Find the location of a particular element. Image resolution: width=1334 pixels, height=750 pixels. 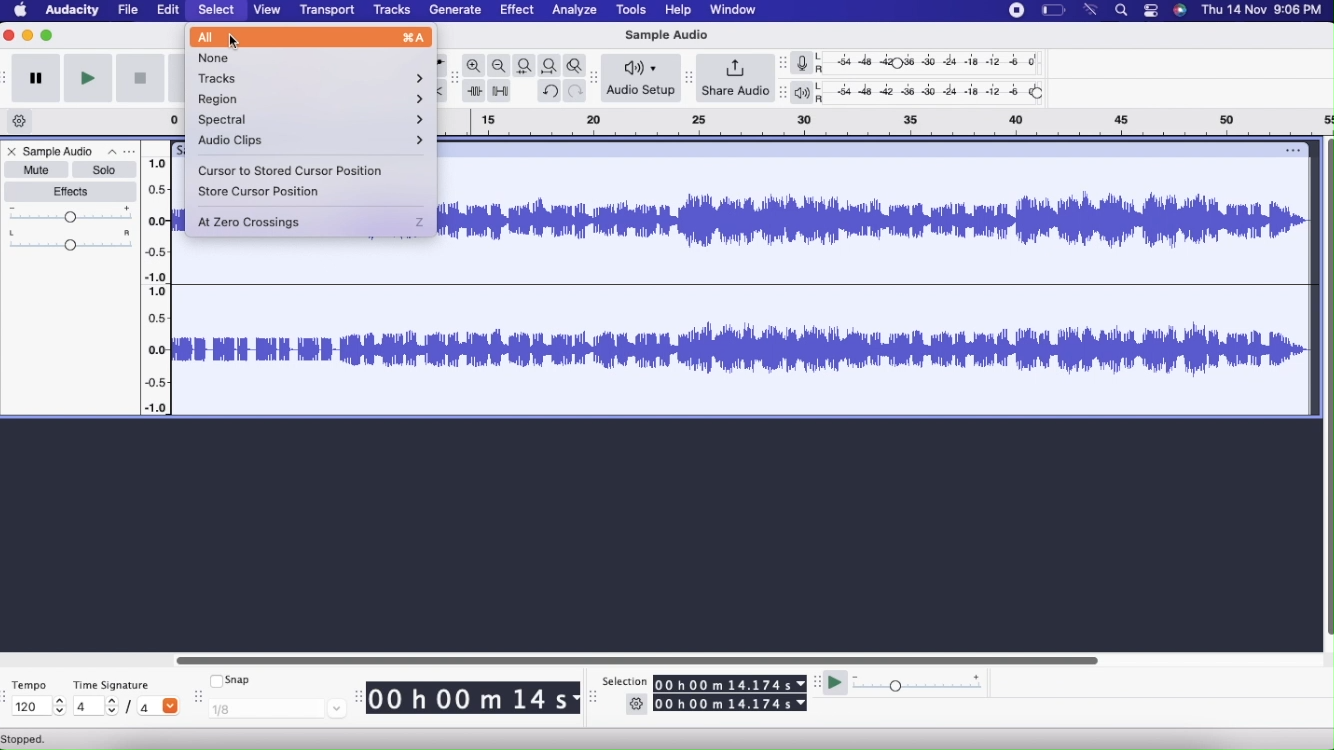

Zoom in is located at coordinates (474, 65).